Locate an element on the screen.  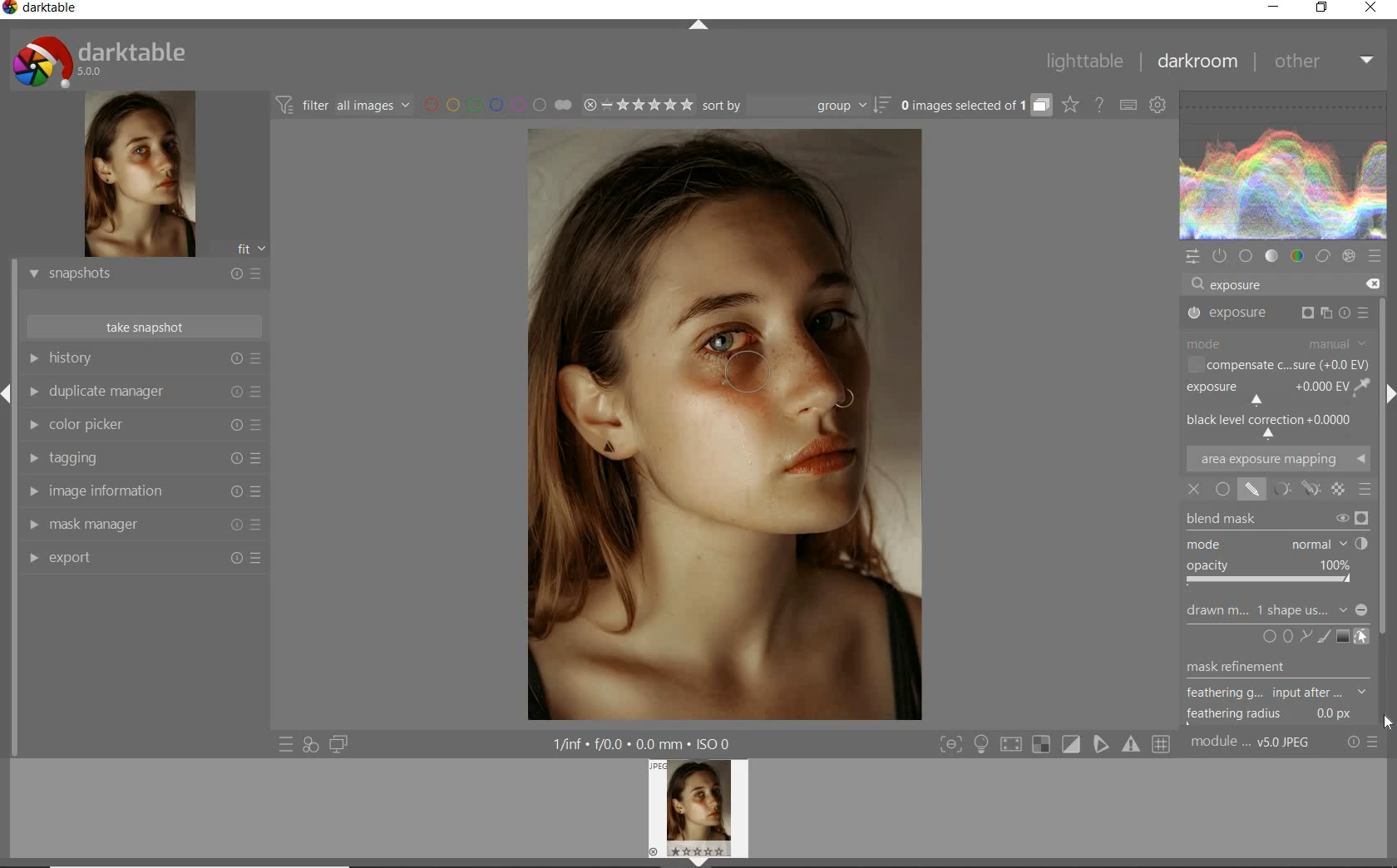
MODE is located at coordinates (1272, 542).